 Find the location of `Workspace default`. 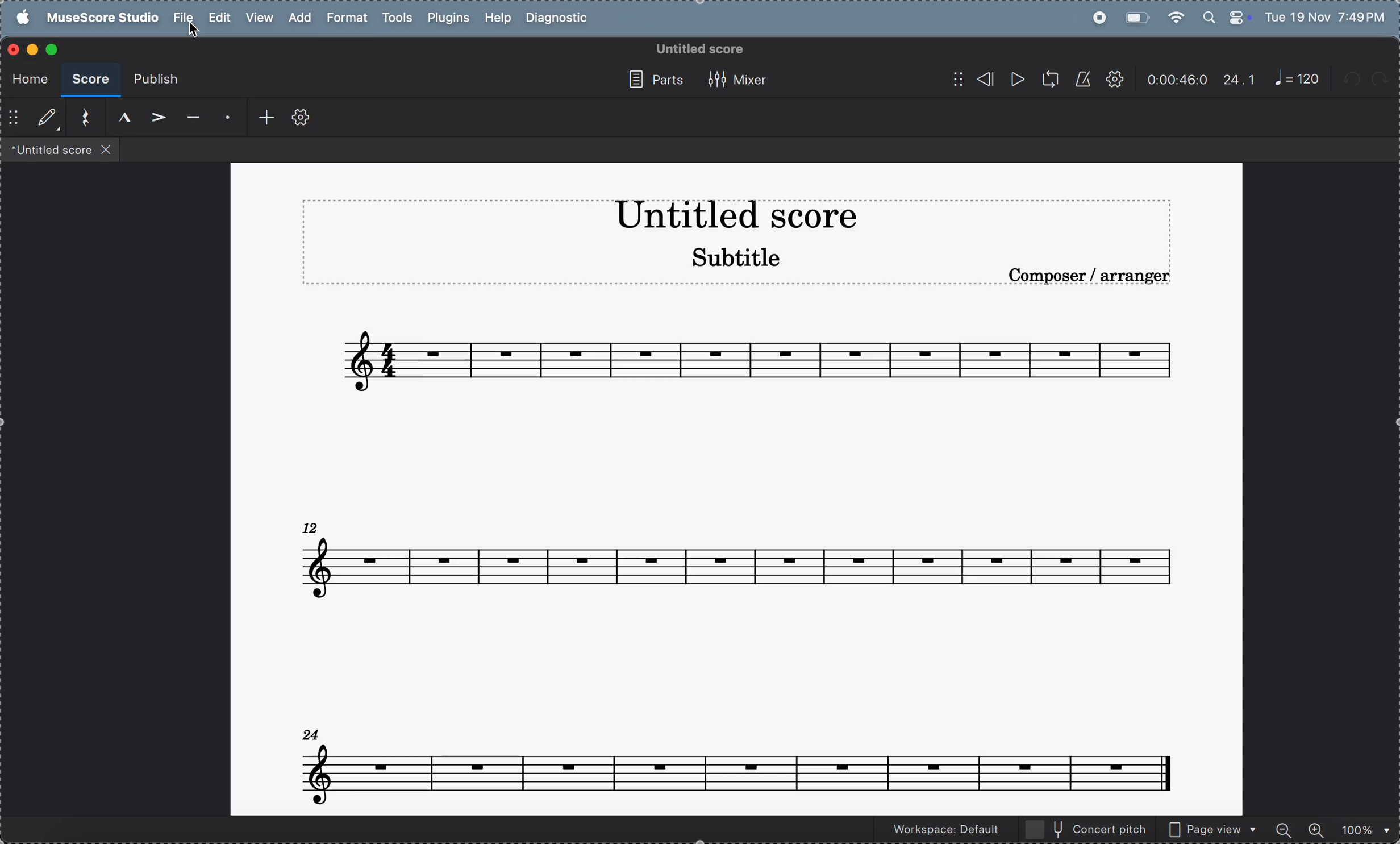

Workspace default is located at coordinates (944, 830).